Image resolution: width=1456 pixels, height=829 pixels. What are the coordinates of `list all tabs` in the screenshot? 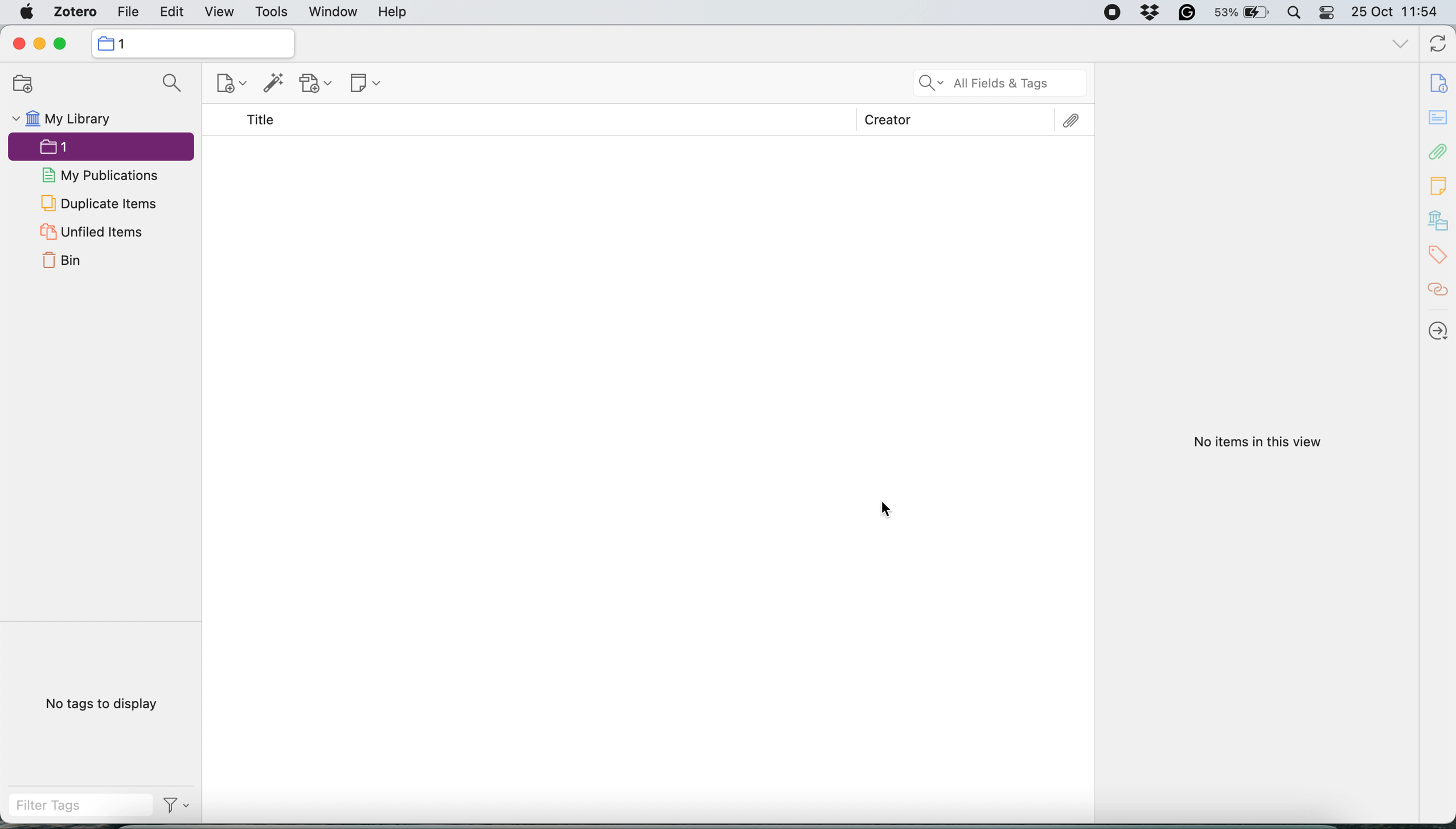 It's located at (1398, 46).